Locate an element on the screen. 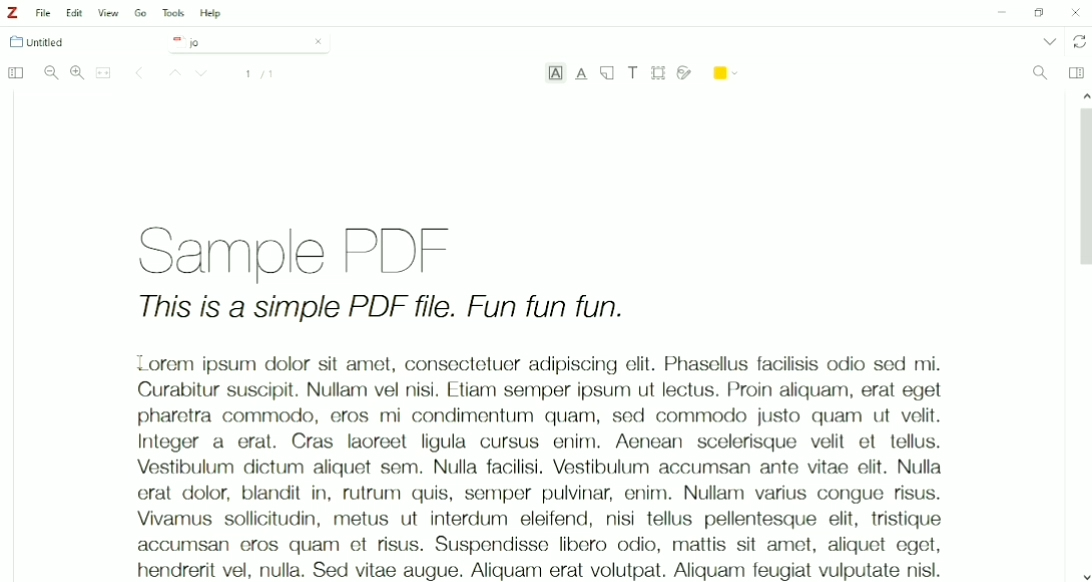 This screenshot has height=582, width=1092. Highlight color is located at coordinates (727, 71).